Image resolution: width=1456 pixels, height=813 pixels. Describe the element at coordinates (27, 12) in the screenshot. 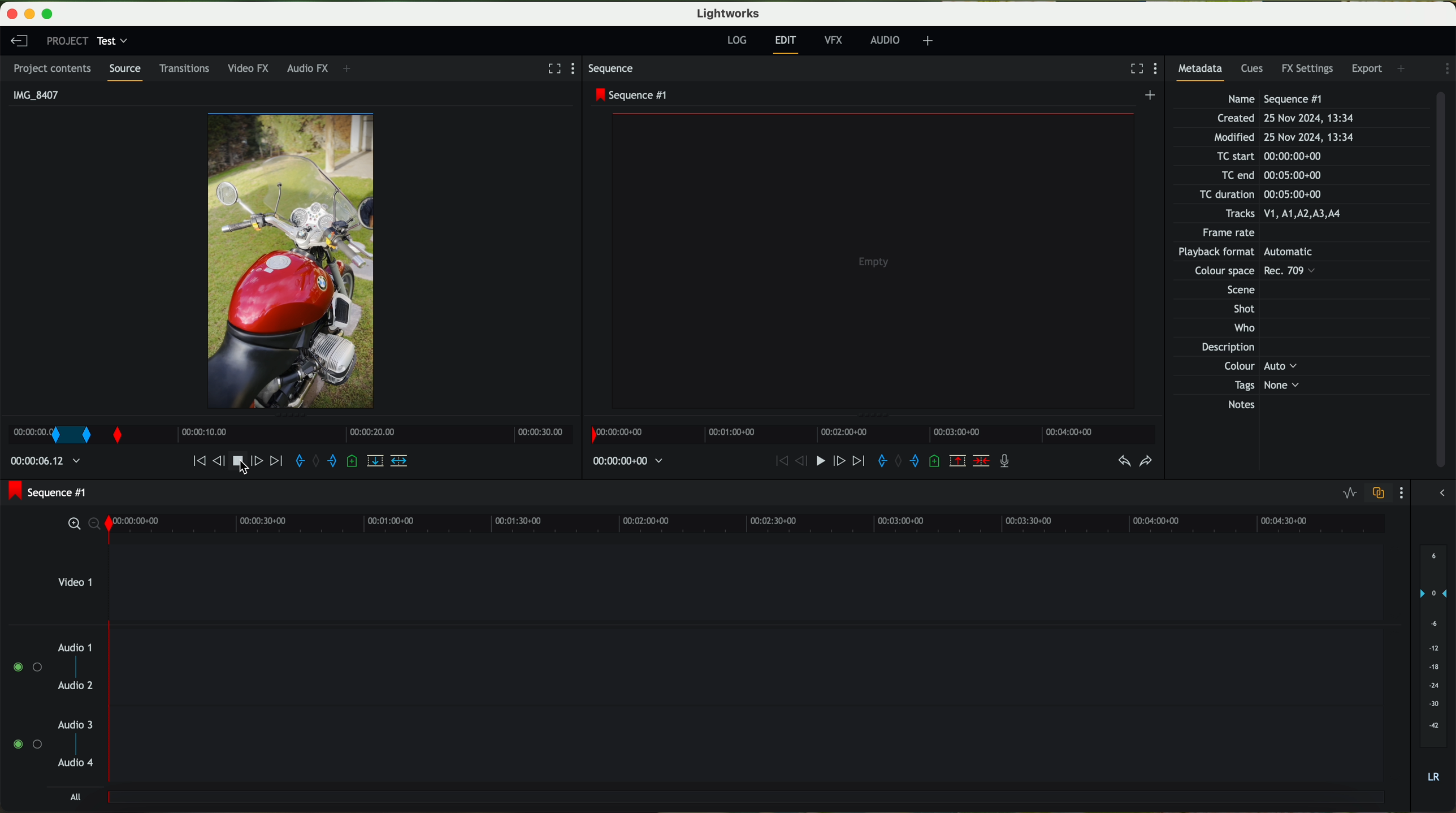

I see `minimize` at that location.